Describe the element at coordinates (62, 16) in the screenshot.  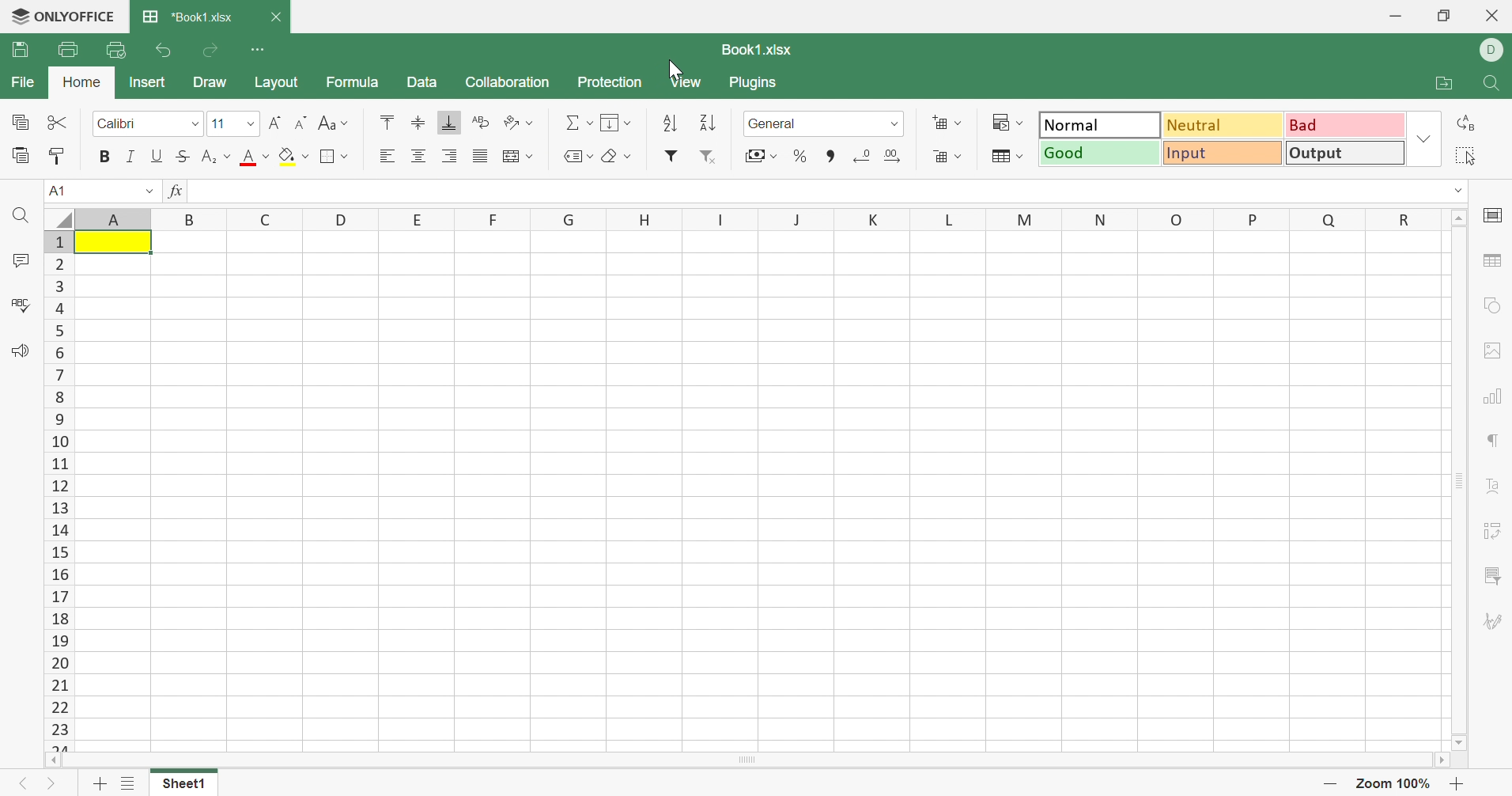
I see `ONLYOFFICE` at that location.